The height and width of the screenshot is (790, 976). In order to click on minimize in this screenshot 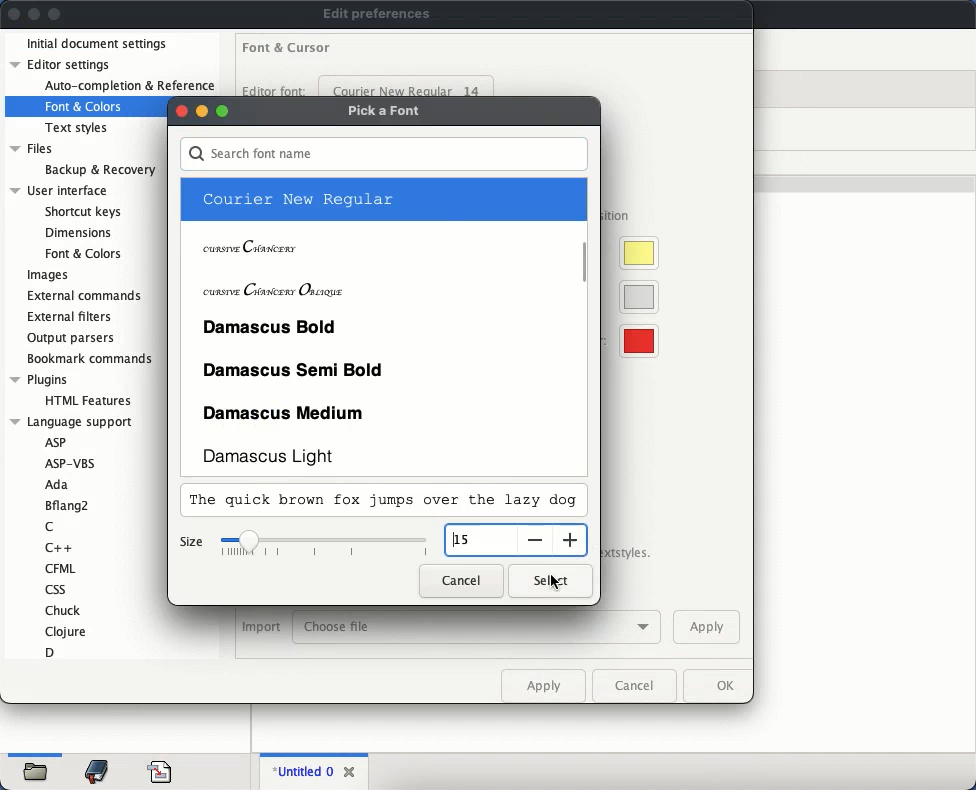, I will do `click(202, 111)`.